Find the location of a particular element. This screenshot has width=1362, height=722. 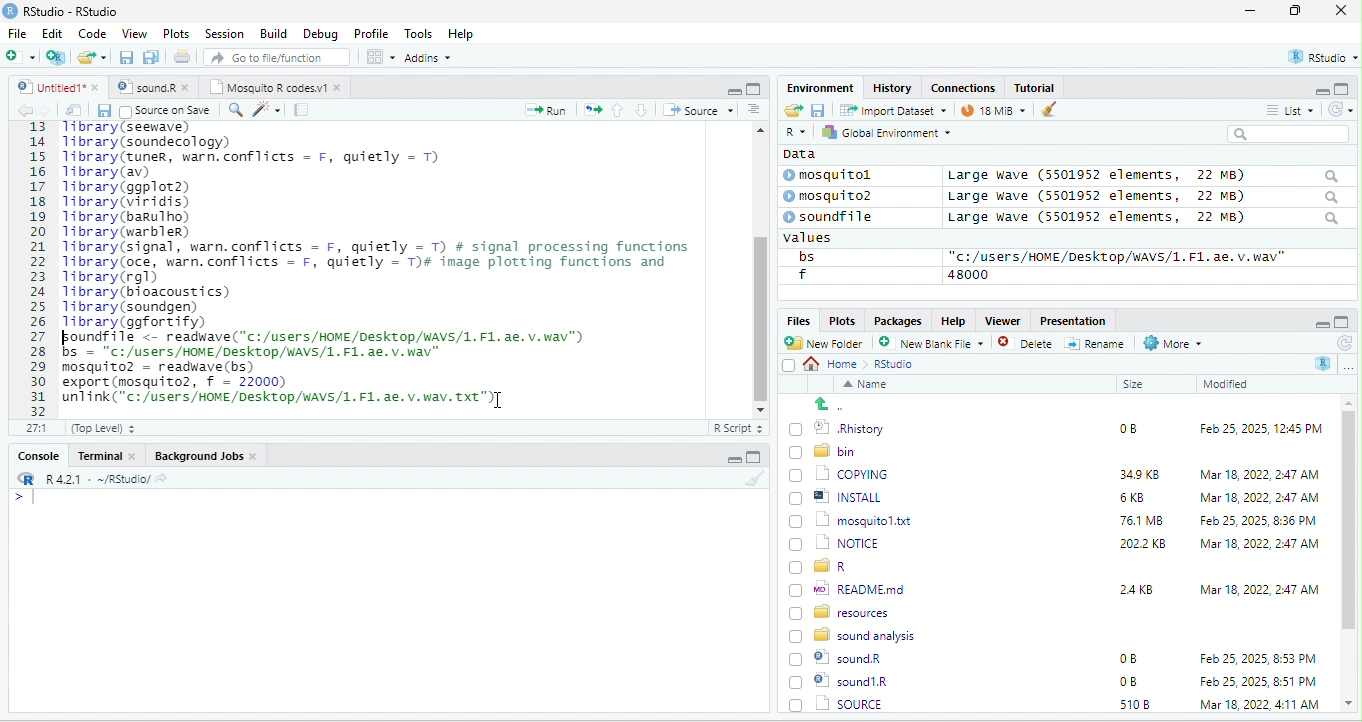

Modified is located at coordinates (1227, 384).